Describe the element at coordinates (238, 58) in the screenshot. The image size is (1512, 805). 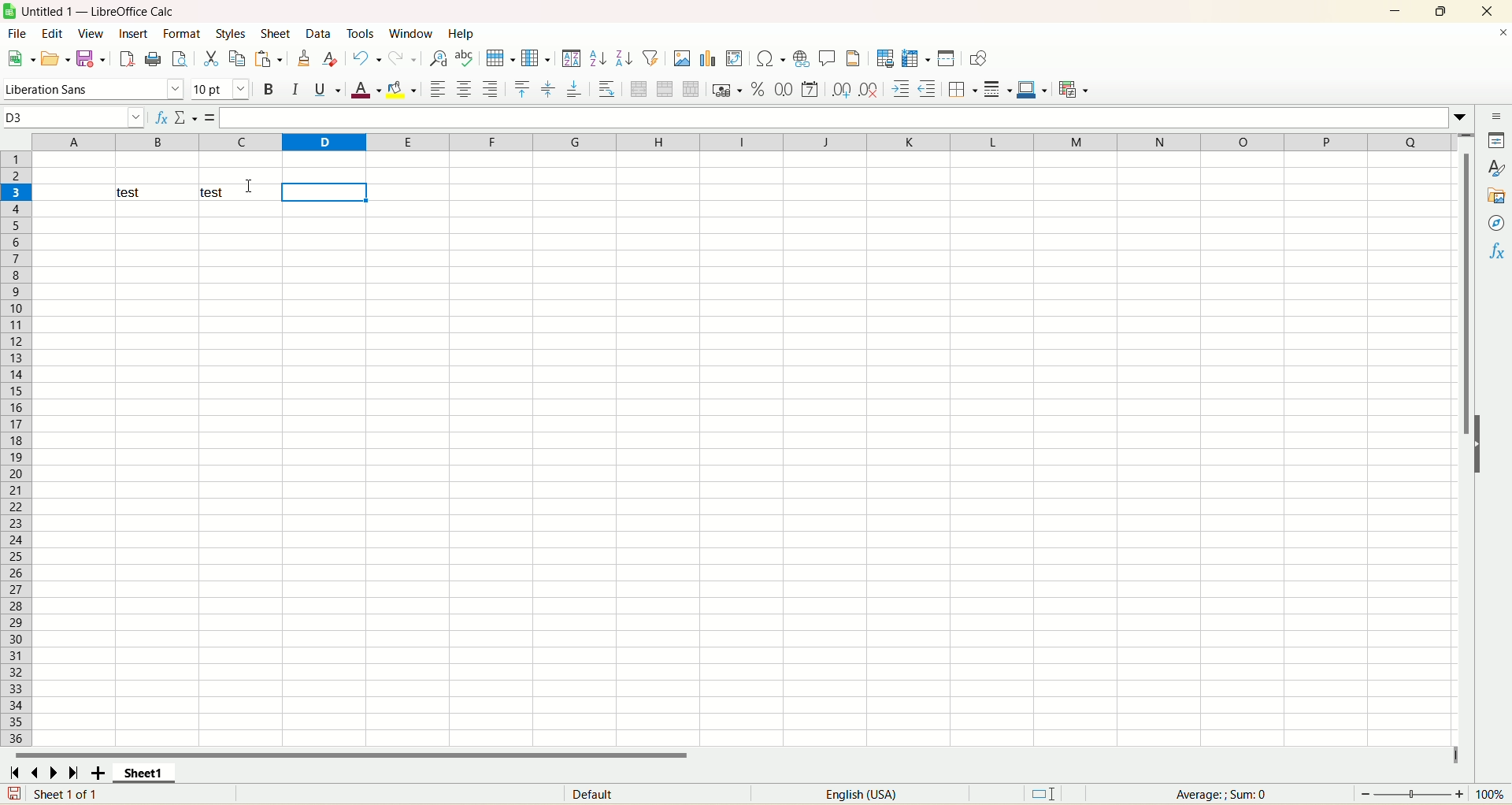
I see `copy` at that location.